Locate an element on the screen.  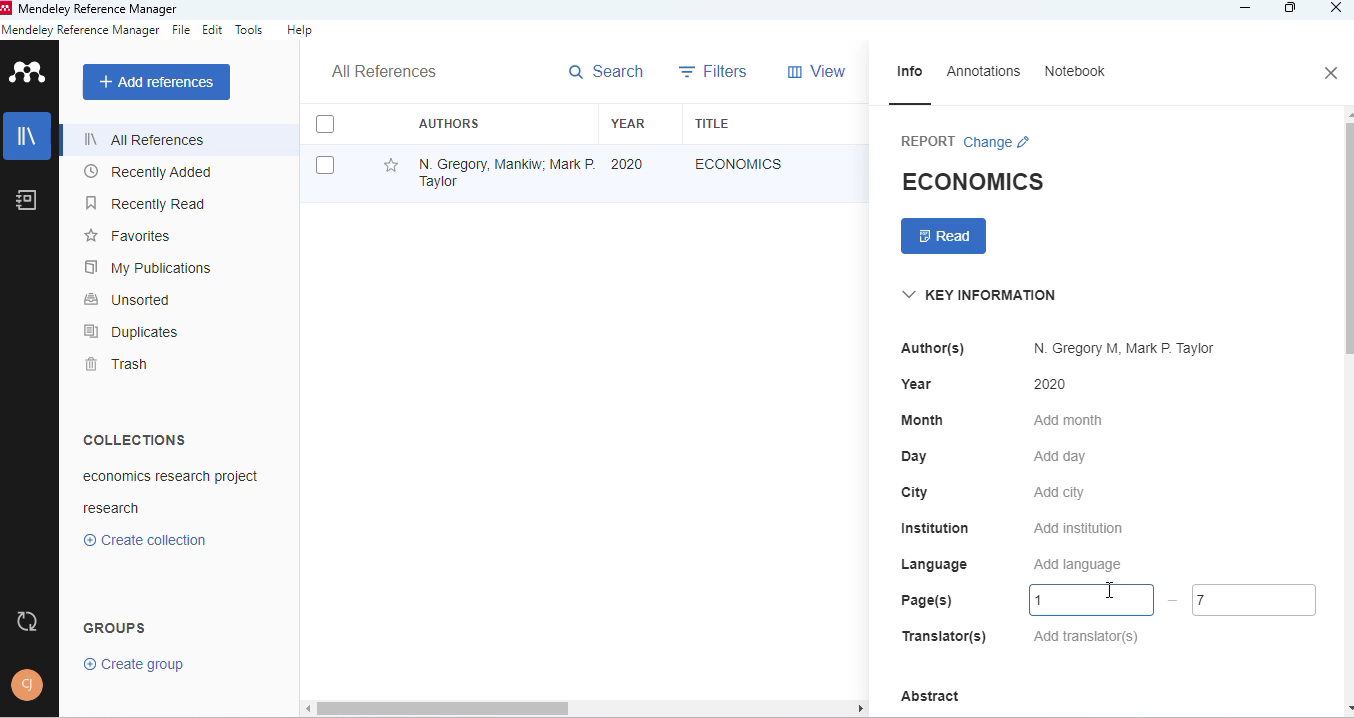
file is located at coordinates (181, 29).